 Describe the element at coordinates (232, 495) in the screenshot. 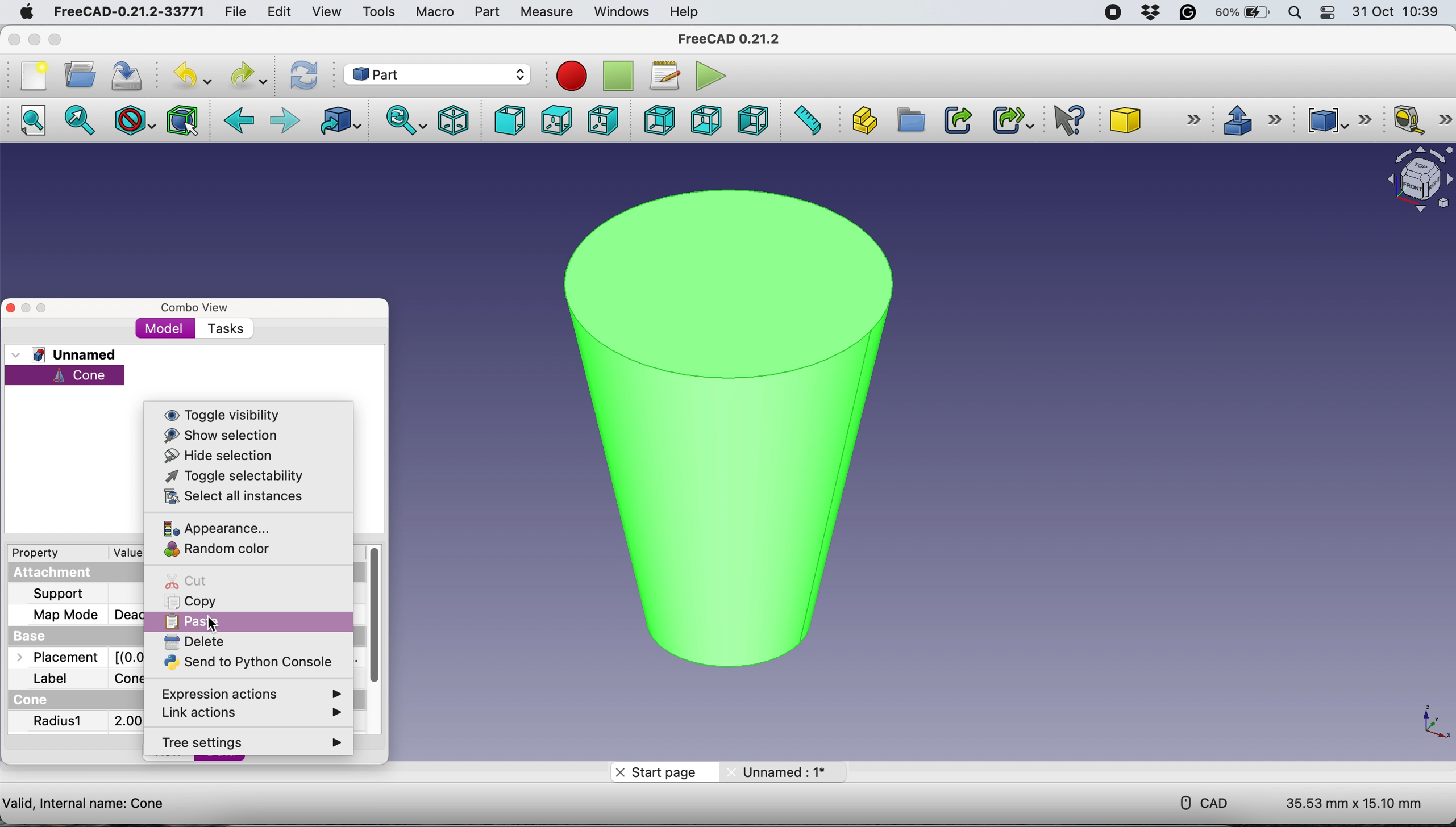

I see `select all instances` at that location.